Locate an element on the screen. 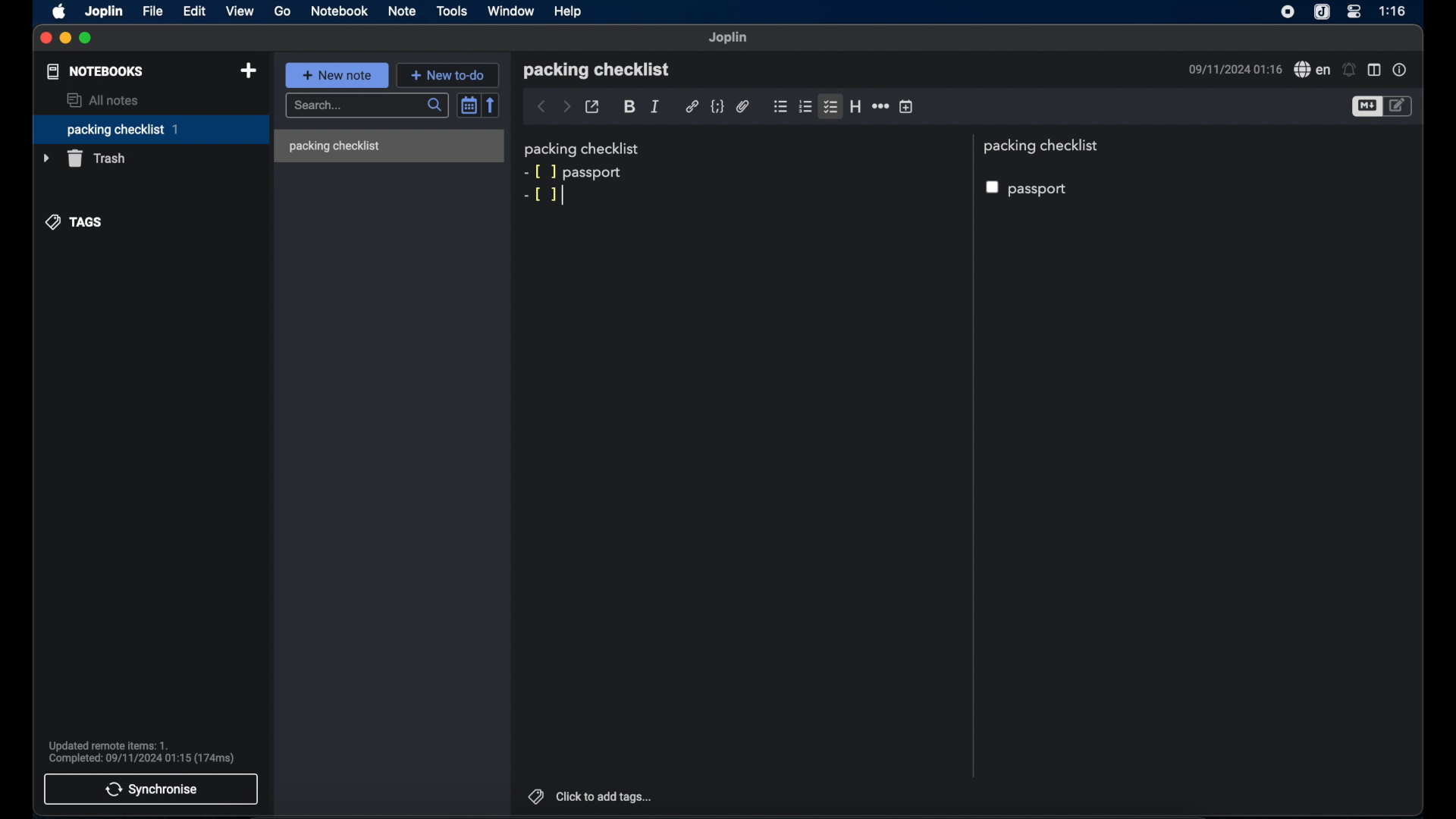 The width and height of the screenshot is (1456, 819). minimize is located at coordinates (65, 39).